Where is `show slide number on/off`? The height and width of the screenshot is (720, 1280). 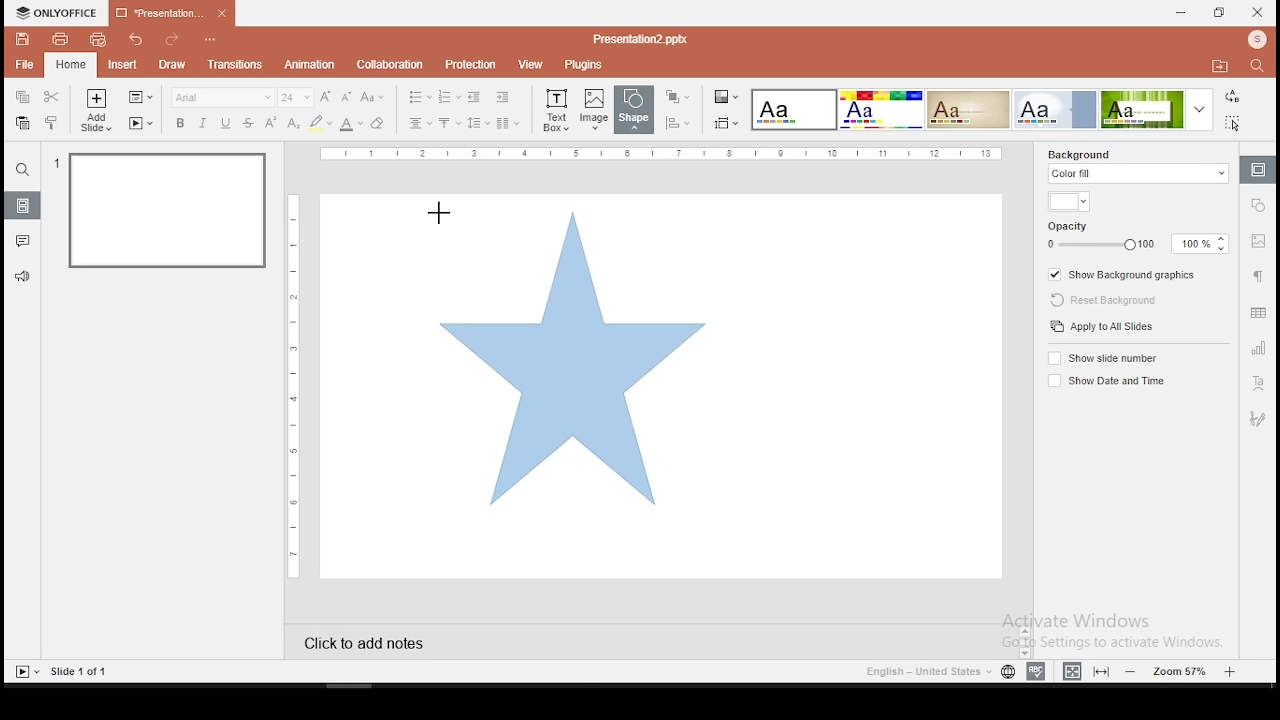 show slide number on/off is located at coordinates (1105, 359).